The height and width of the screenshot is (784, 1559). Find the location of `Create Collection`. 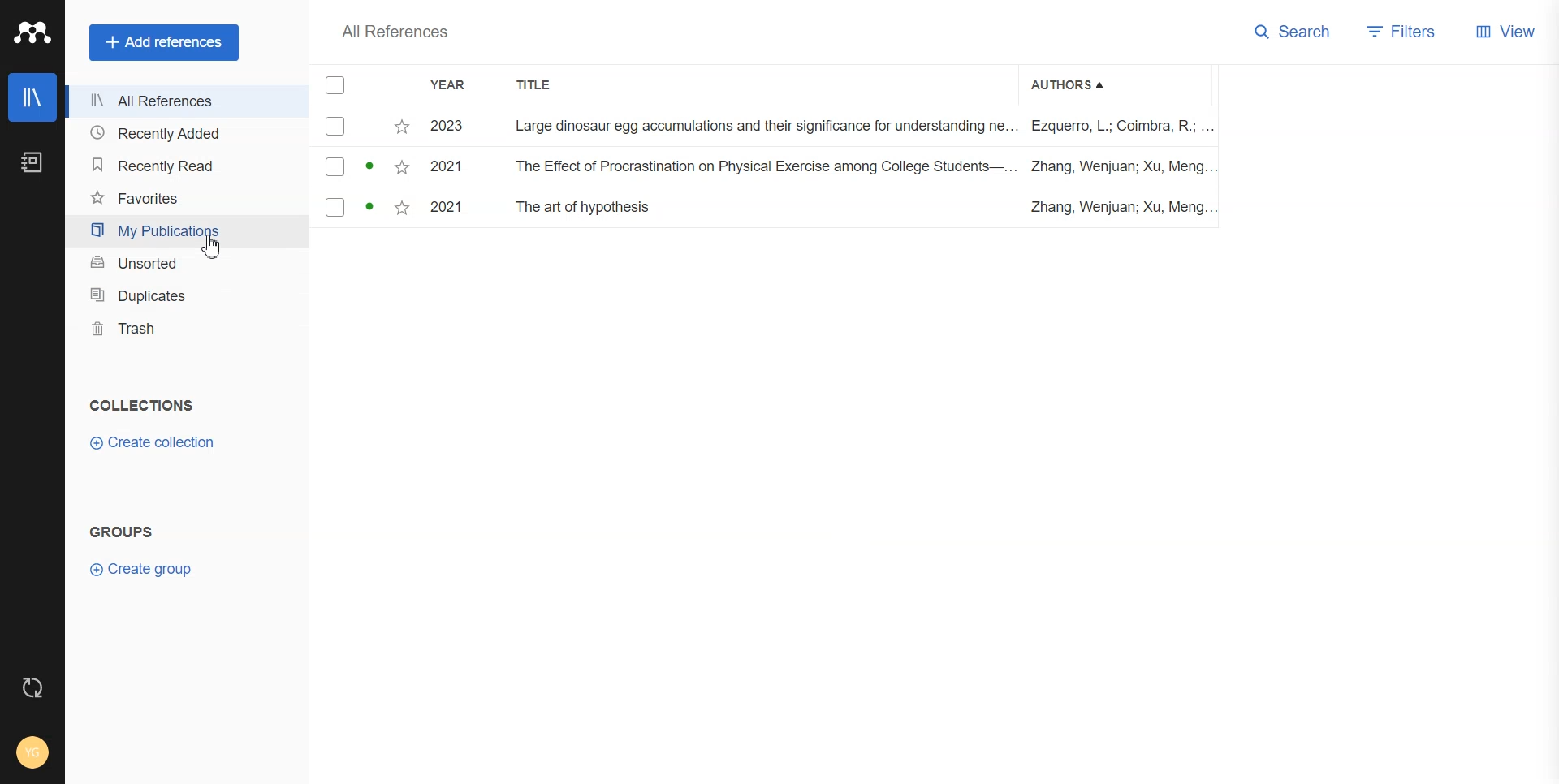

Create Collection is located at coordinates (152, 442).